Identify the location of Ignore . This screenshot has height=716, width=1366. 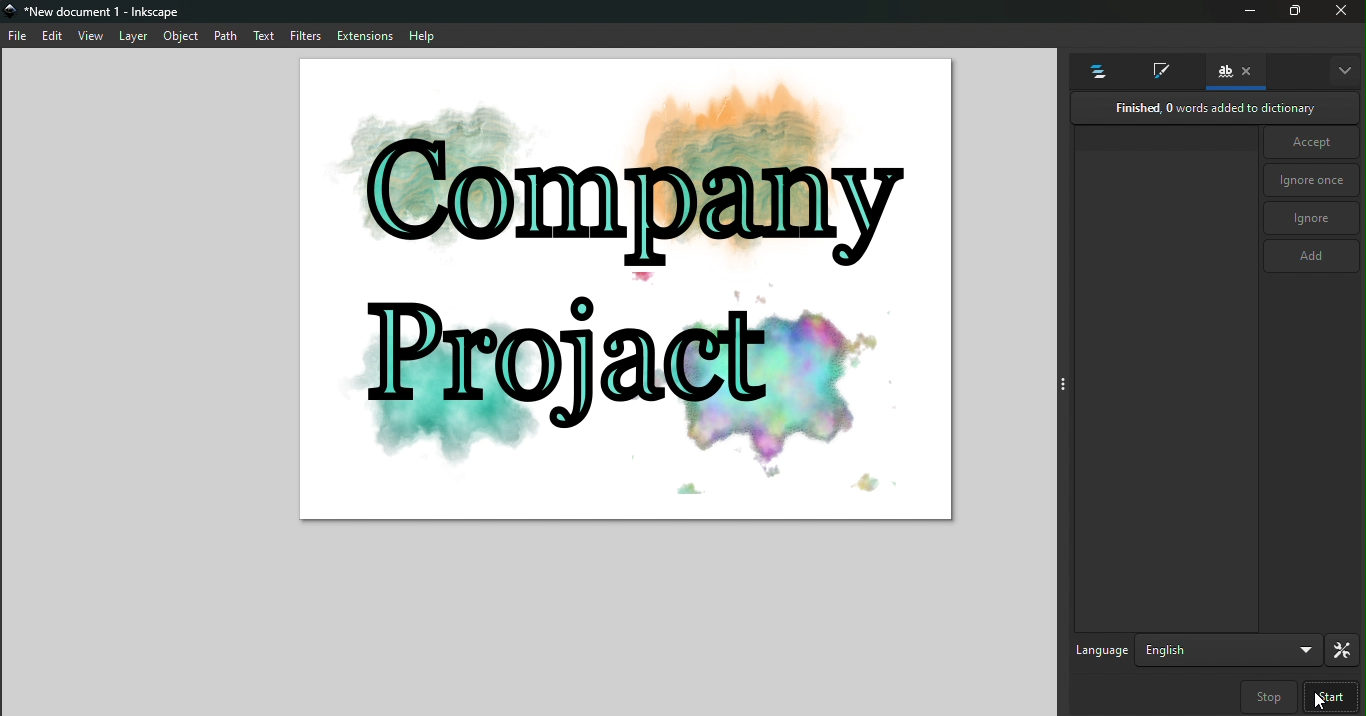
(1310, 217).